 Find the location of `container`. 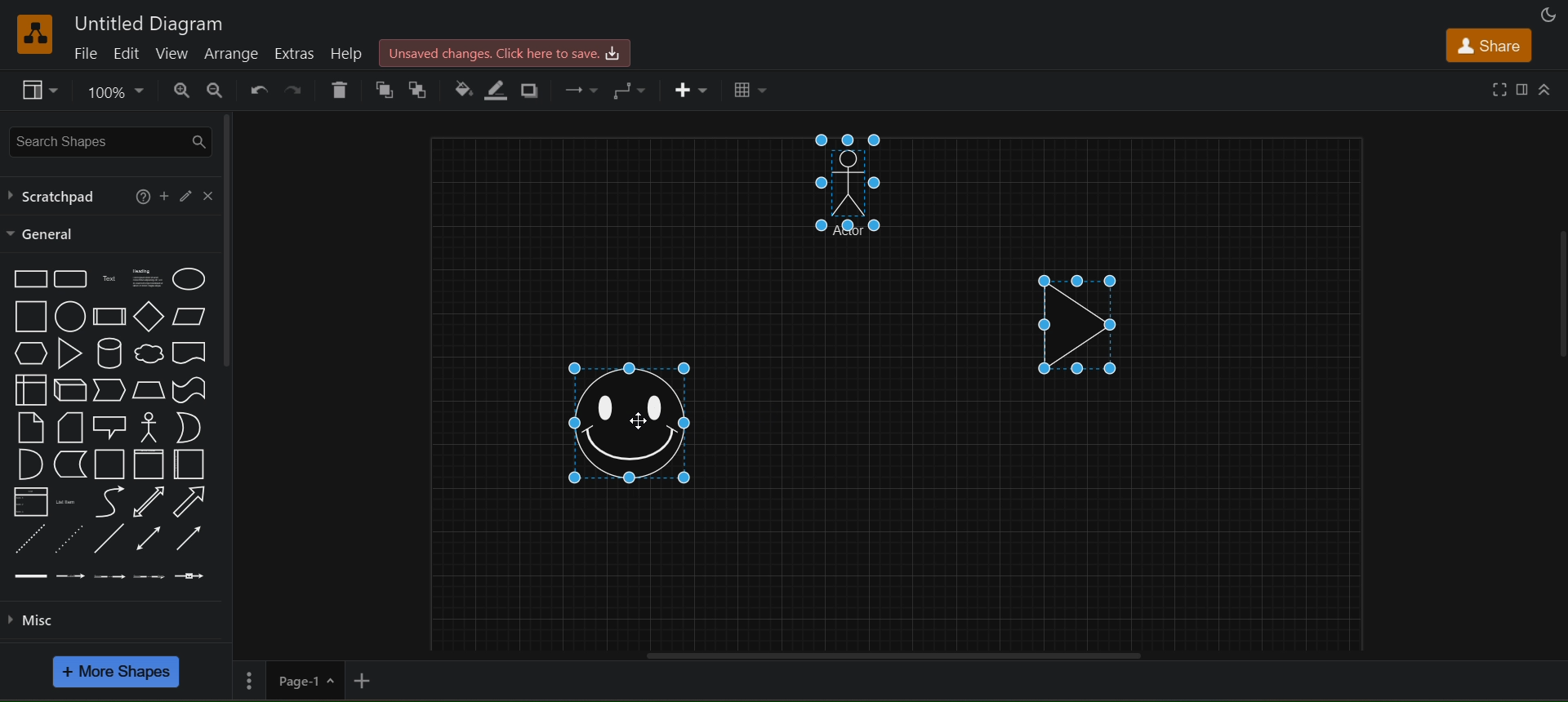

container is located at coordinates (111, 464).